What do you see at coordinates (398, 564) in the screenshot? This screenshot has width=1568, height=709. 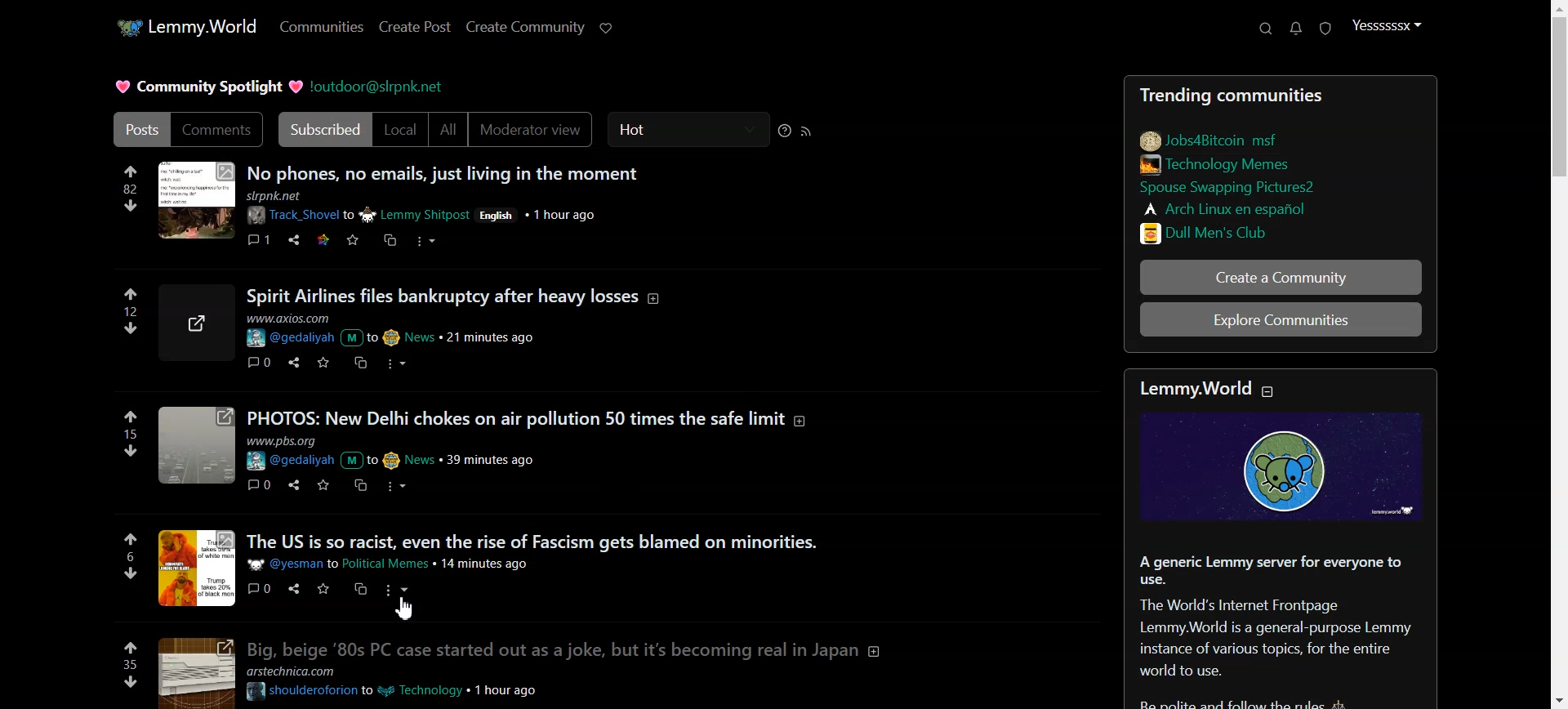 I see `post details` at bounding box center [398, 564].